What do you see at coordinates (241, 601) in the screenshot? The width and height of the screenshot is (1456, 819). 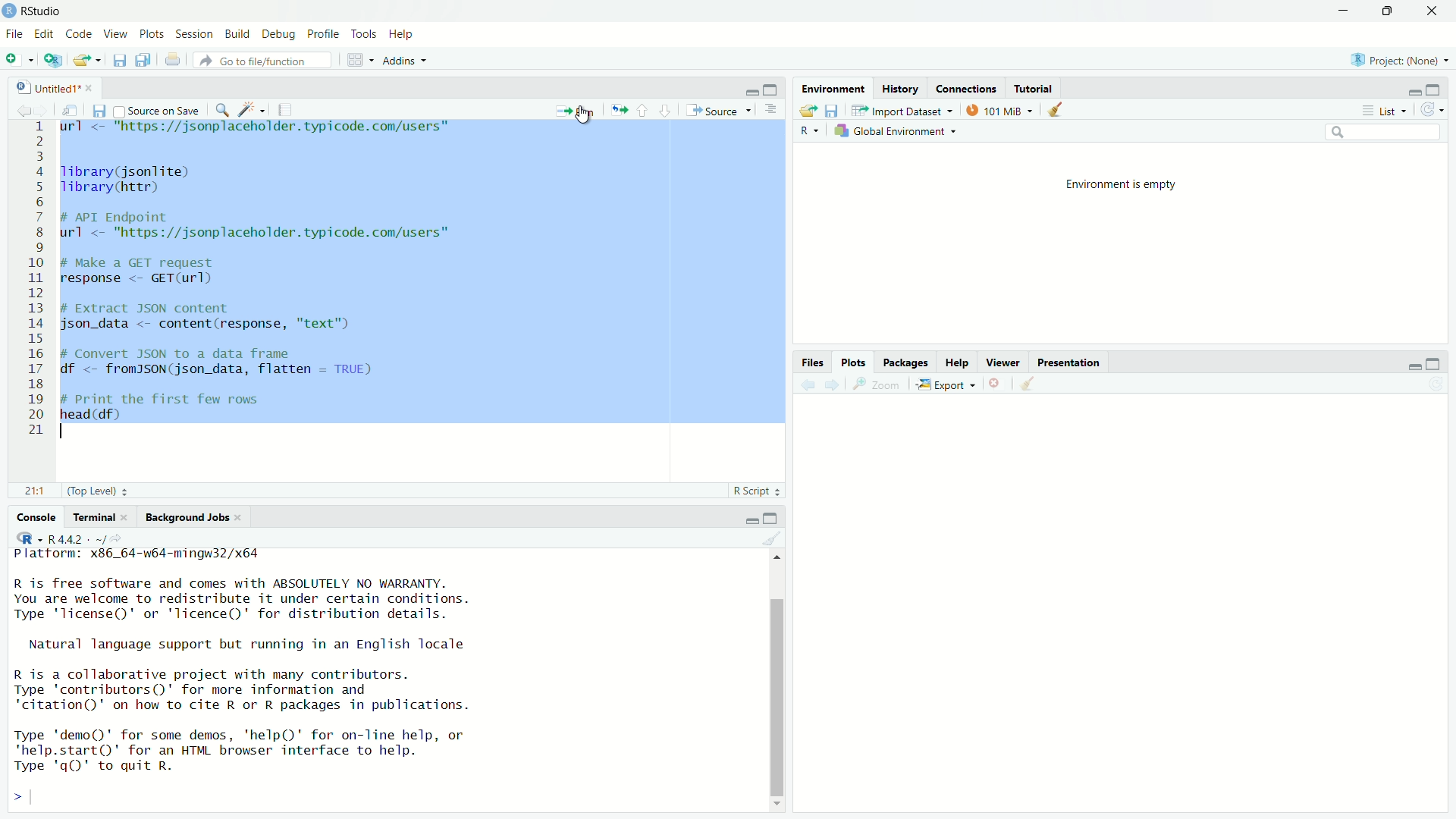 I see `R is free software and comes with ABSOLUTELY NO WARRANTY.
You are welcome to redistribute it under certain conditions.
Type 'license()' or 'licence()' for distribution details.` at bounding box center [241, 601].